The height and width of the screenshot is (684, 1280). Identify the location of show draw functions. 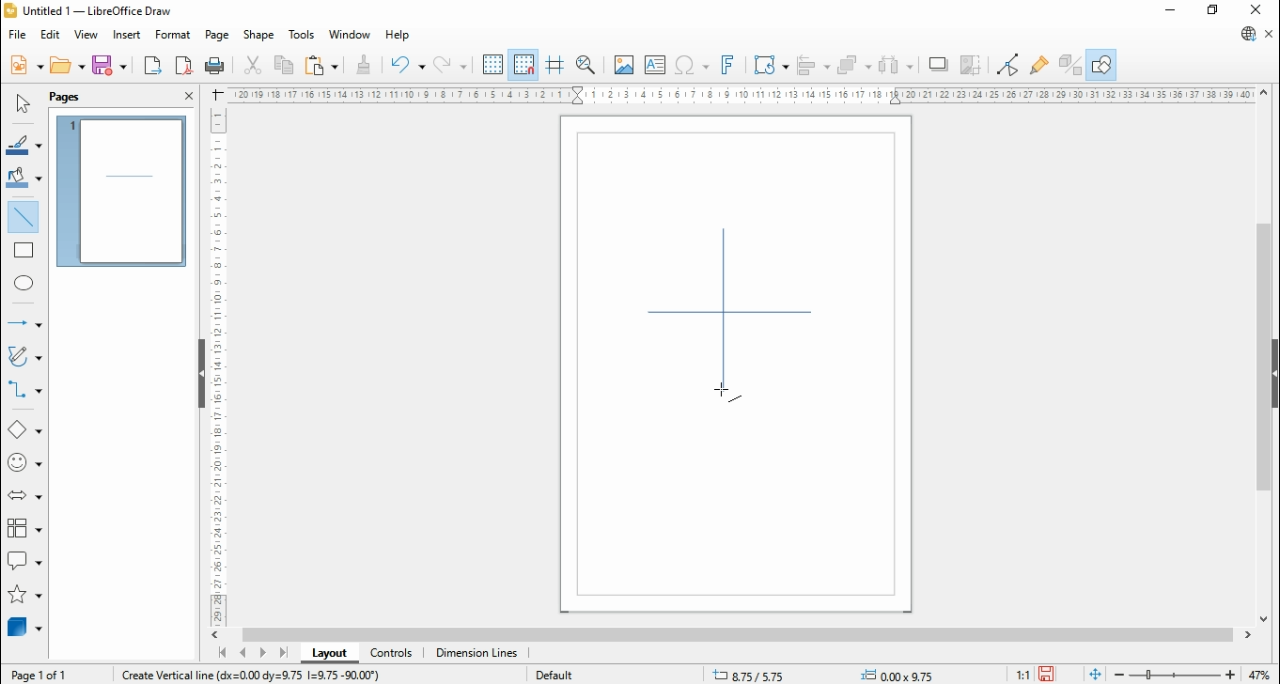
(1103, 64).